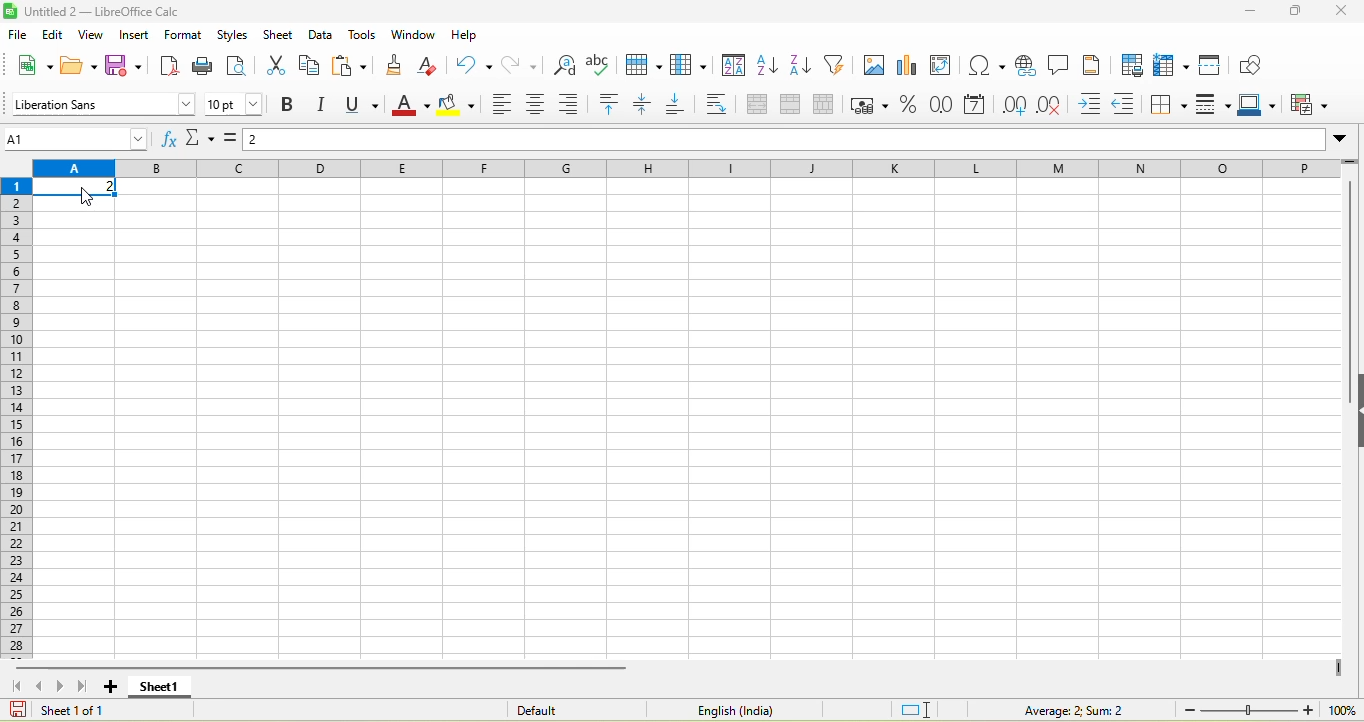 This screenshot has width=1364, height=722. Describe the element at coordinates (1249, 12) in the screenshot. I see `minuimize` at that location.